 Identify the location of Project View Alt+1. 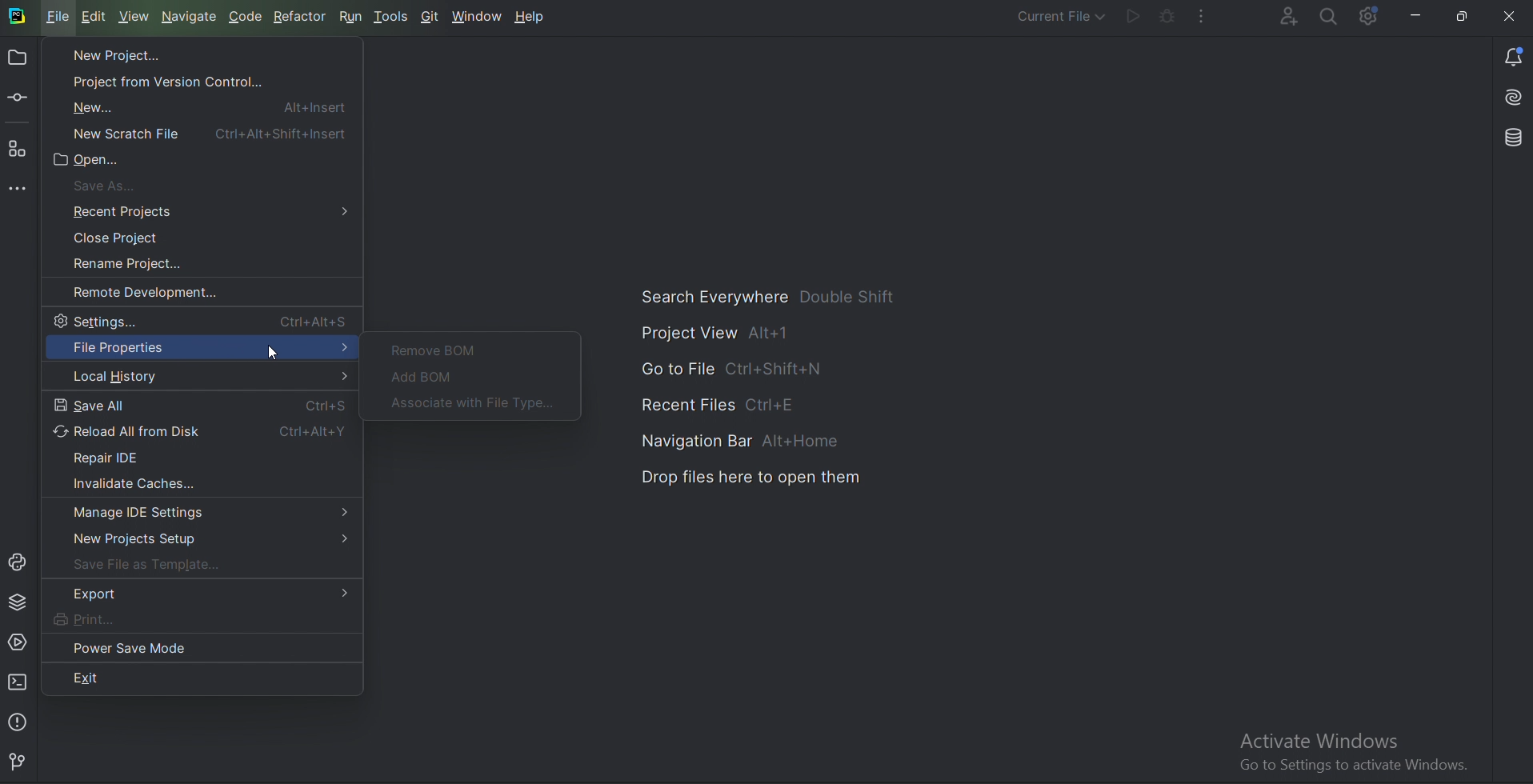
(723, 334).